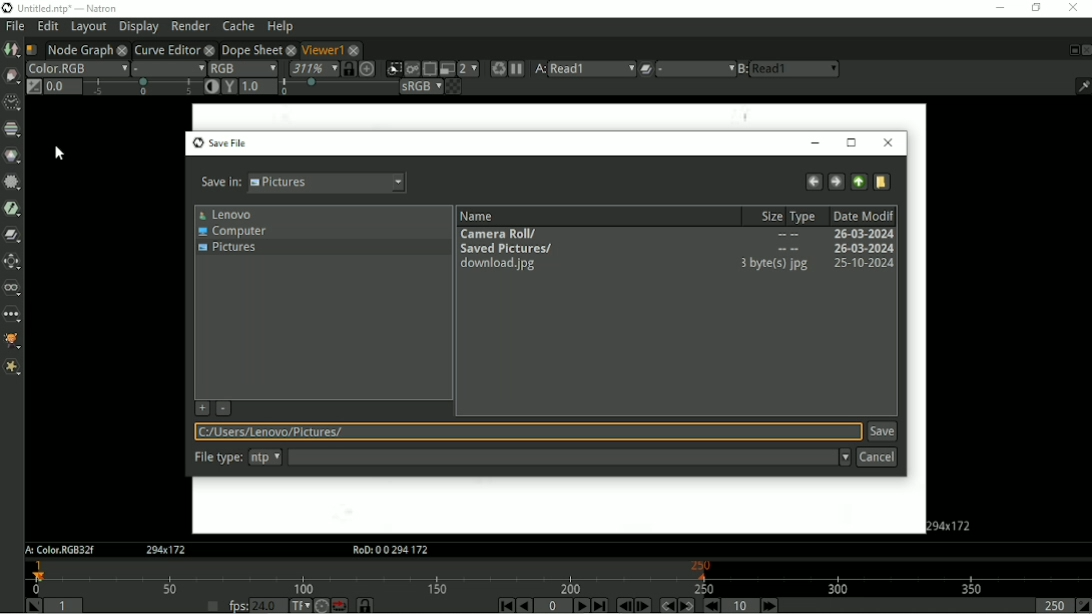 The height and width of the screenshot is (614, 1092). What do you see at coordinates (202, 409) in the screenshot?
I see `Add current directory from favorite list` at bounding box center [202, 409].